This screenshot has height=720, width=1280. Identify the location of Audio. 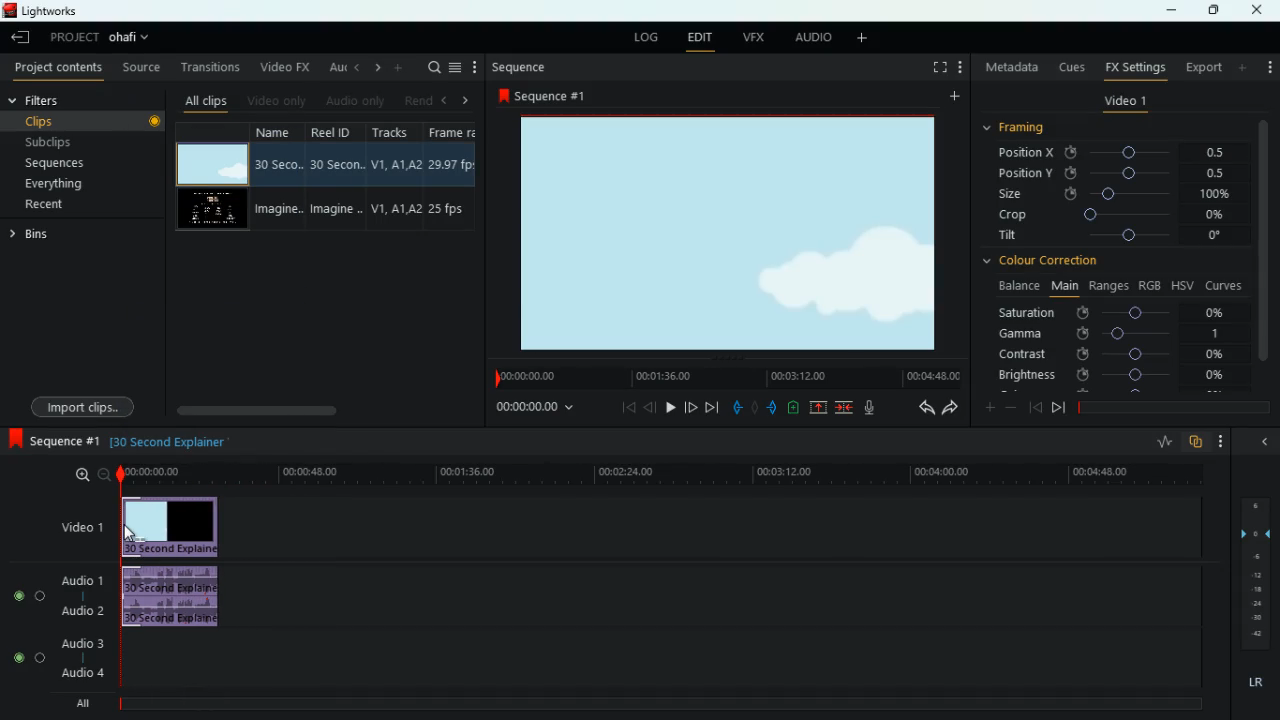
(28, 596).